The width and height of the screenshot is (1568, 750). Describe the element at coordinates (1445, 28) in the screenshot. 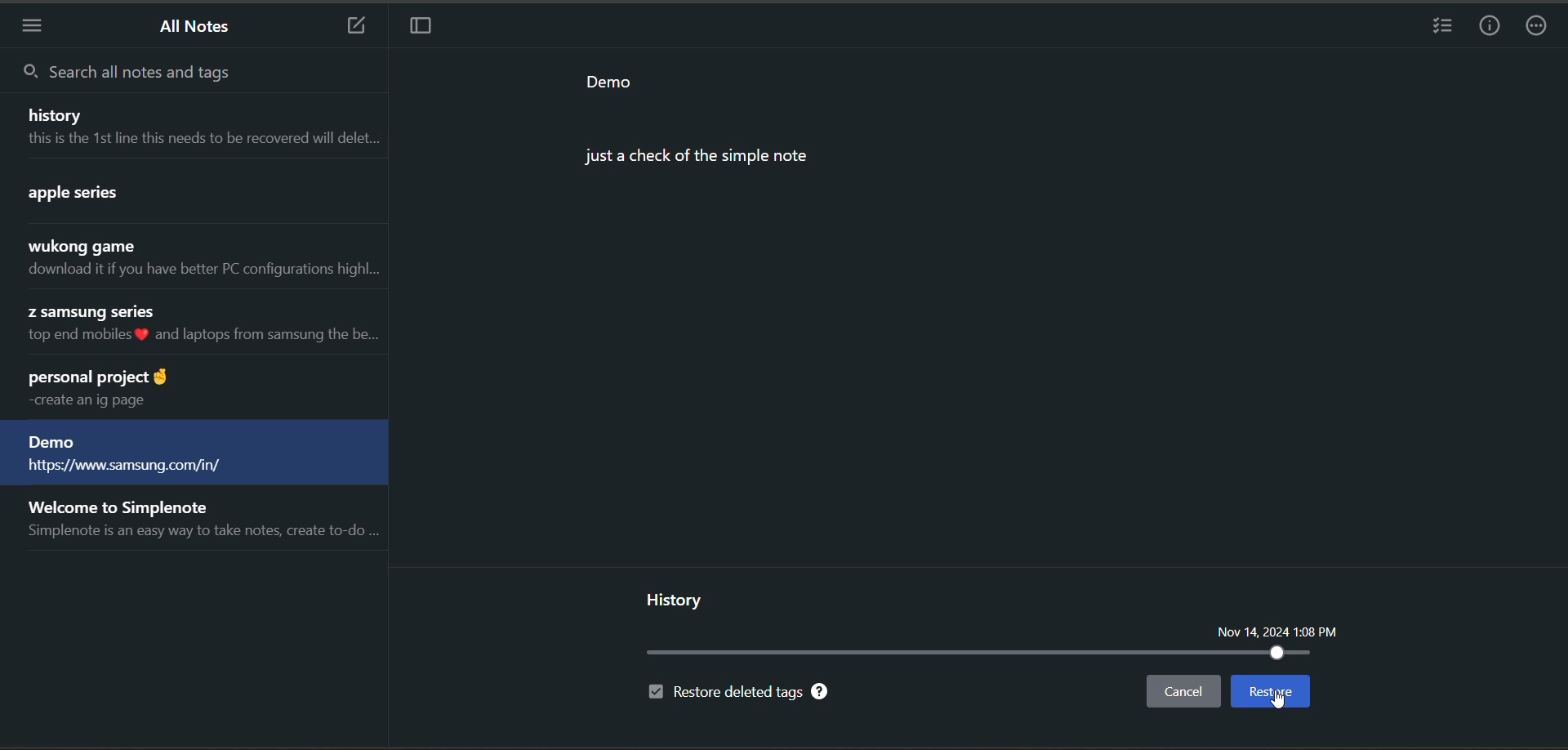

I see `insert checklist` at that location.